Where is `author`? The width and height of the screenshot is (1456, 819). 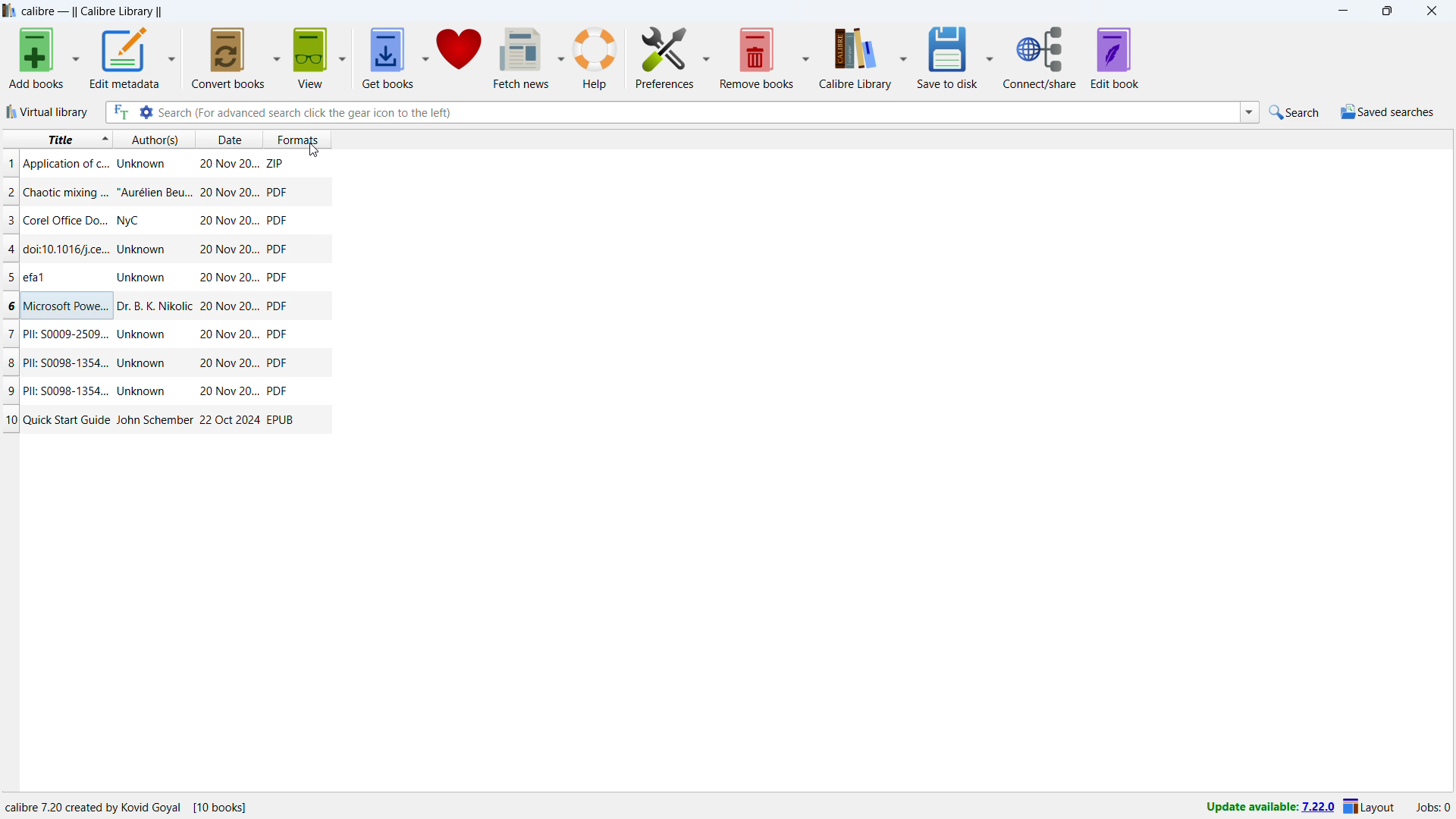 author is located at coordinates (155, 192).